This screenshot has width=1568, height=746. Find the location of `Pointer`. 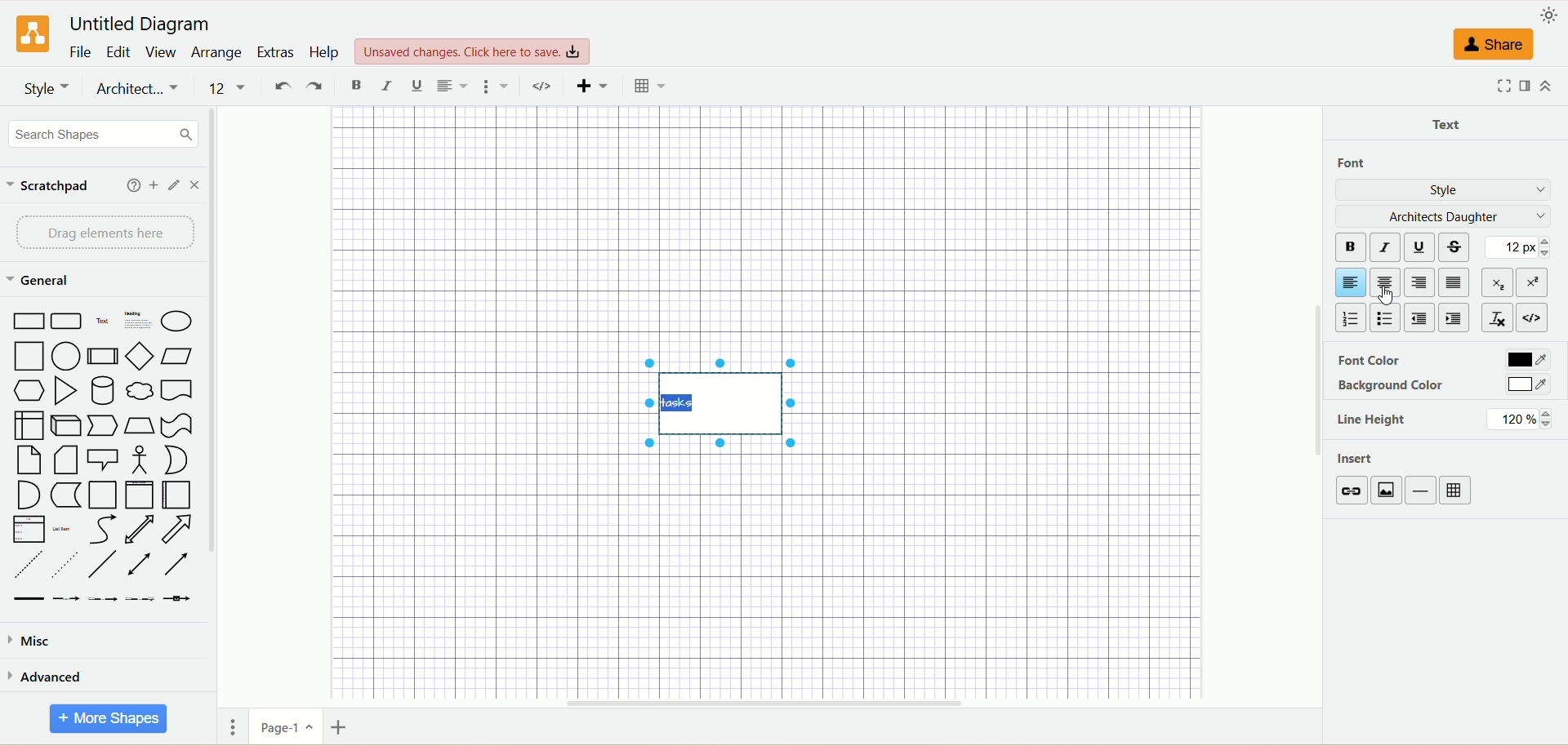

Pointer is located at coordinates (105, 427).